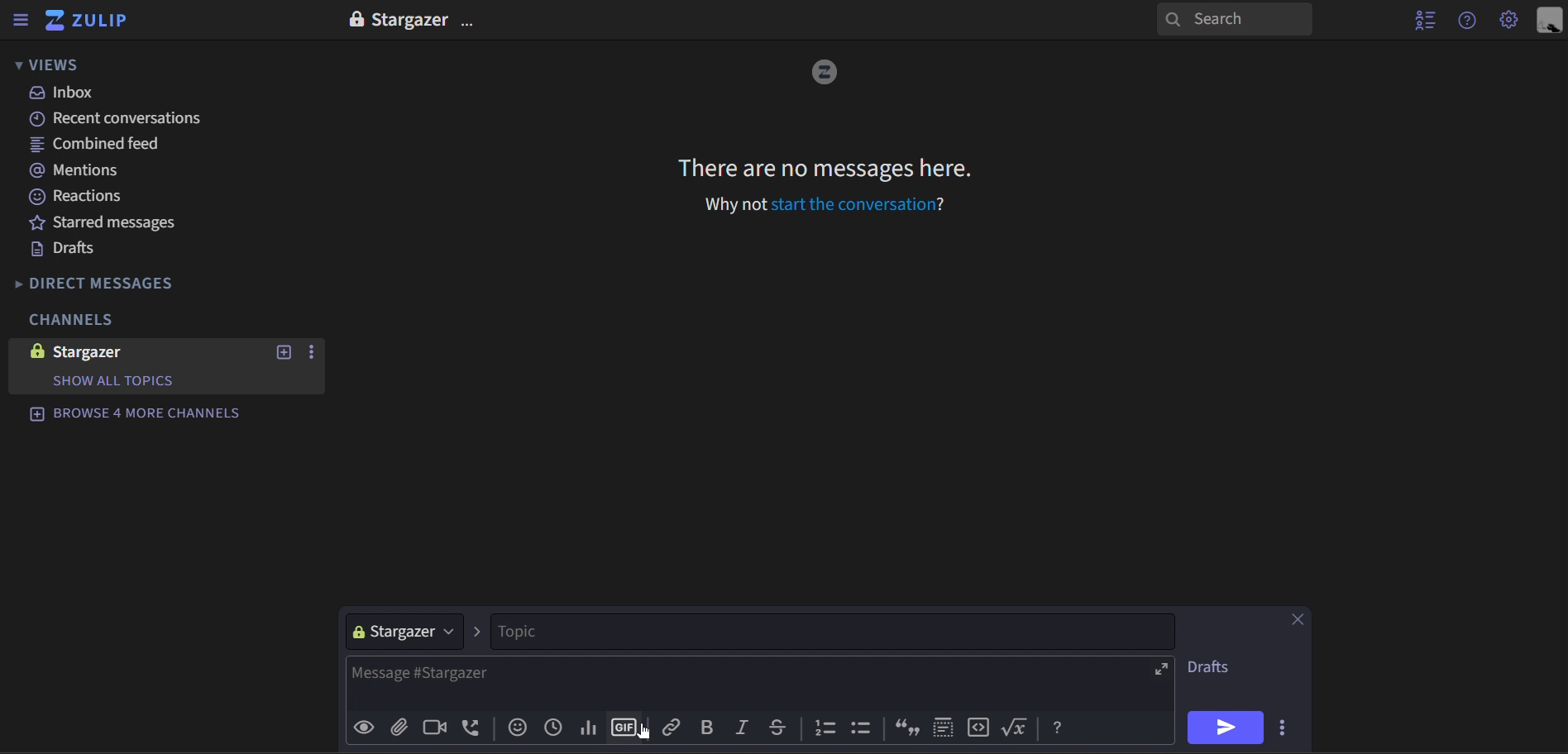  Describe the element at coordinates (110, 352) in the screenshot. I see `stargazer` at that location.